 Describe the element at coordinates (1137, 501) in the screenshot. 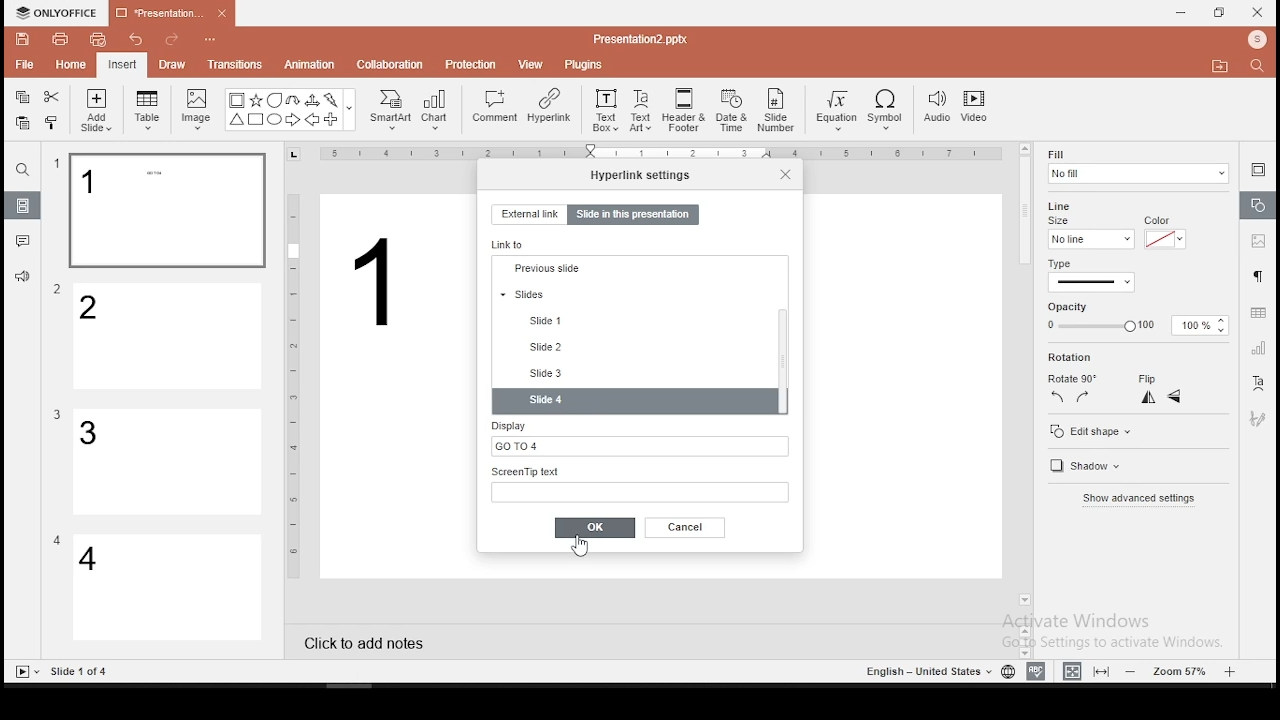

I see `show advanced settings` at that location.